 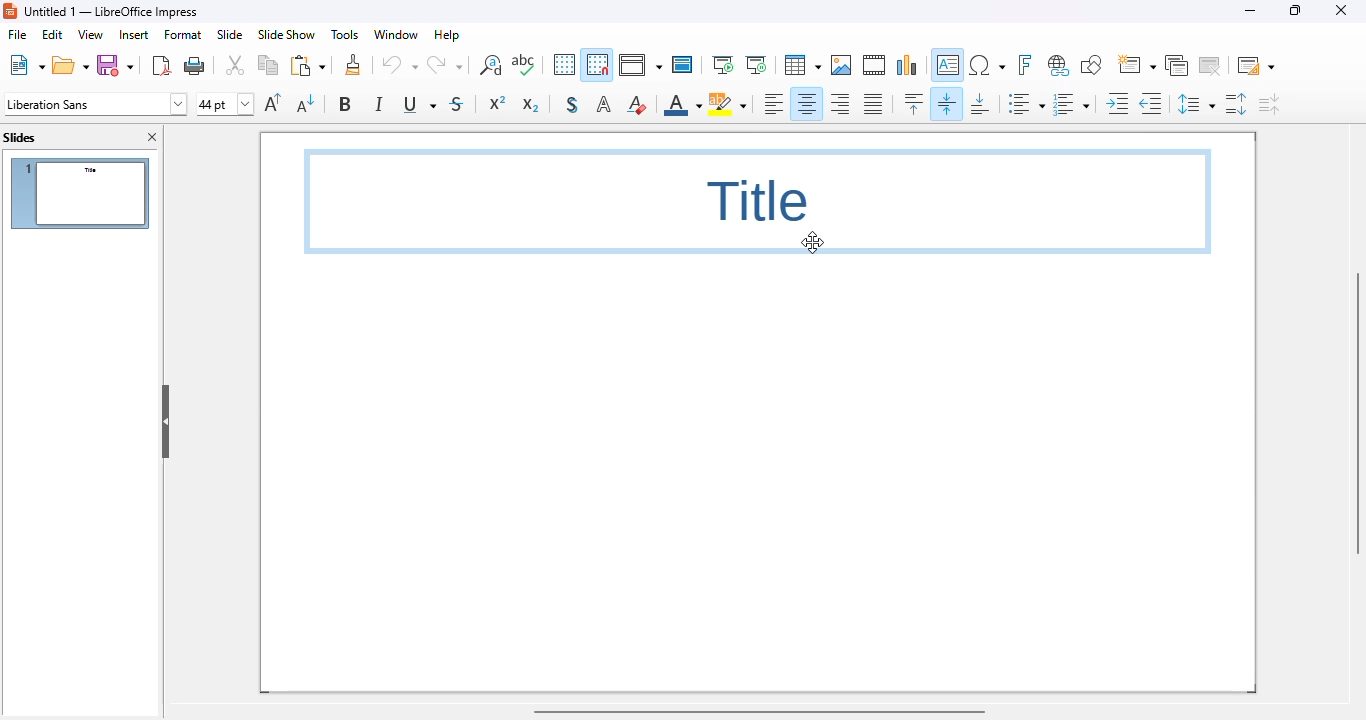 I want to click on clear direct formatting, so click(x=637, y=103).